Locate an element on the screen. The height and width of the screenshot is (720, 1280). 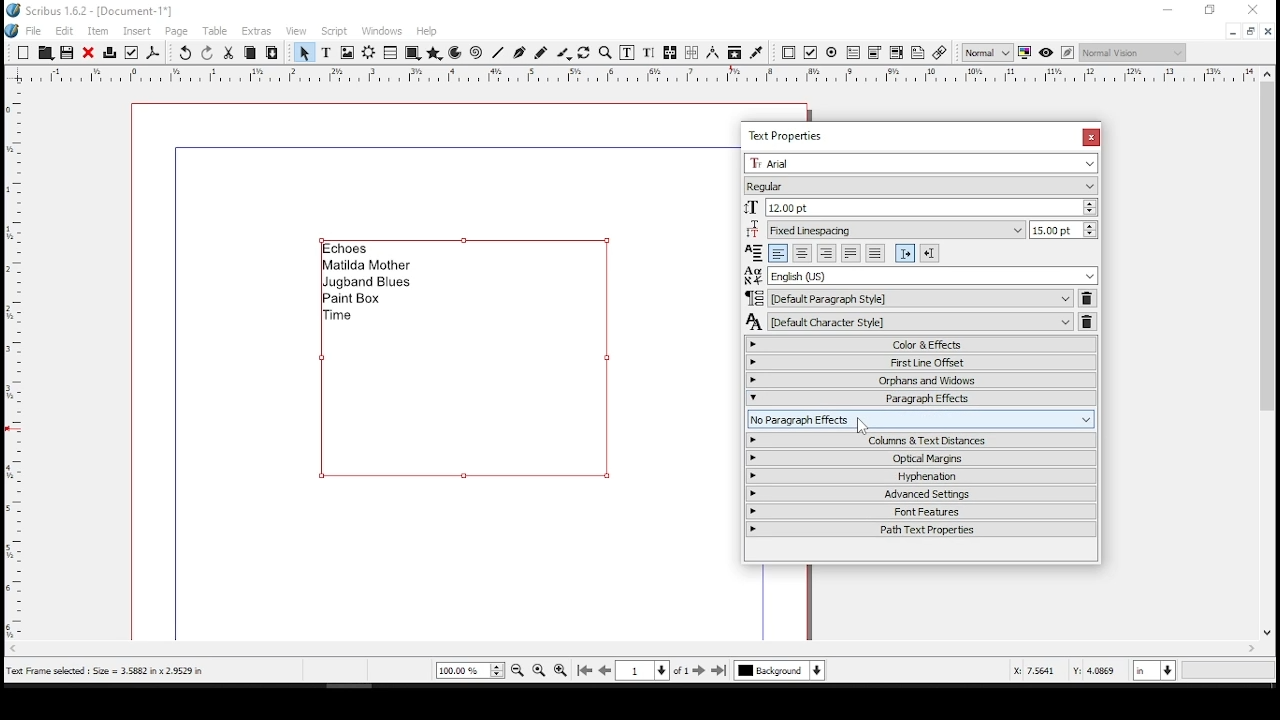
file is located at coordinates (36, 30).